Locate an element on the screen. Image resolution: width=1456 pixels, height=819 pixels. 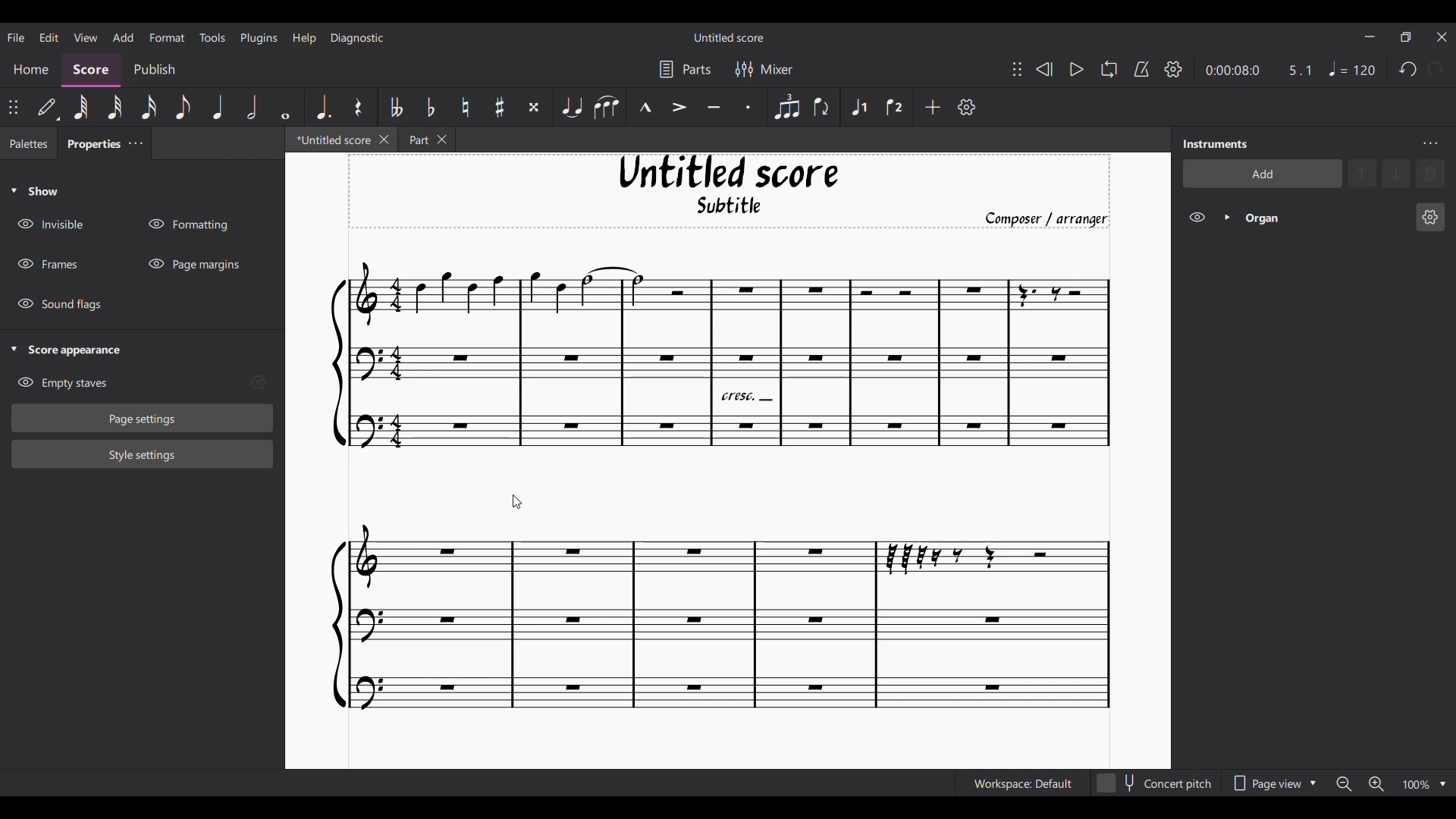
Composer/arranger is located at coordinates (1053, 219).